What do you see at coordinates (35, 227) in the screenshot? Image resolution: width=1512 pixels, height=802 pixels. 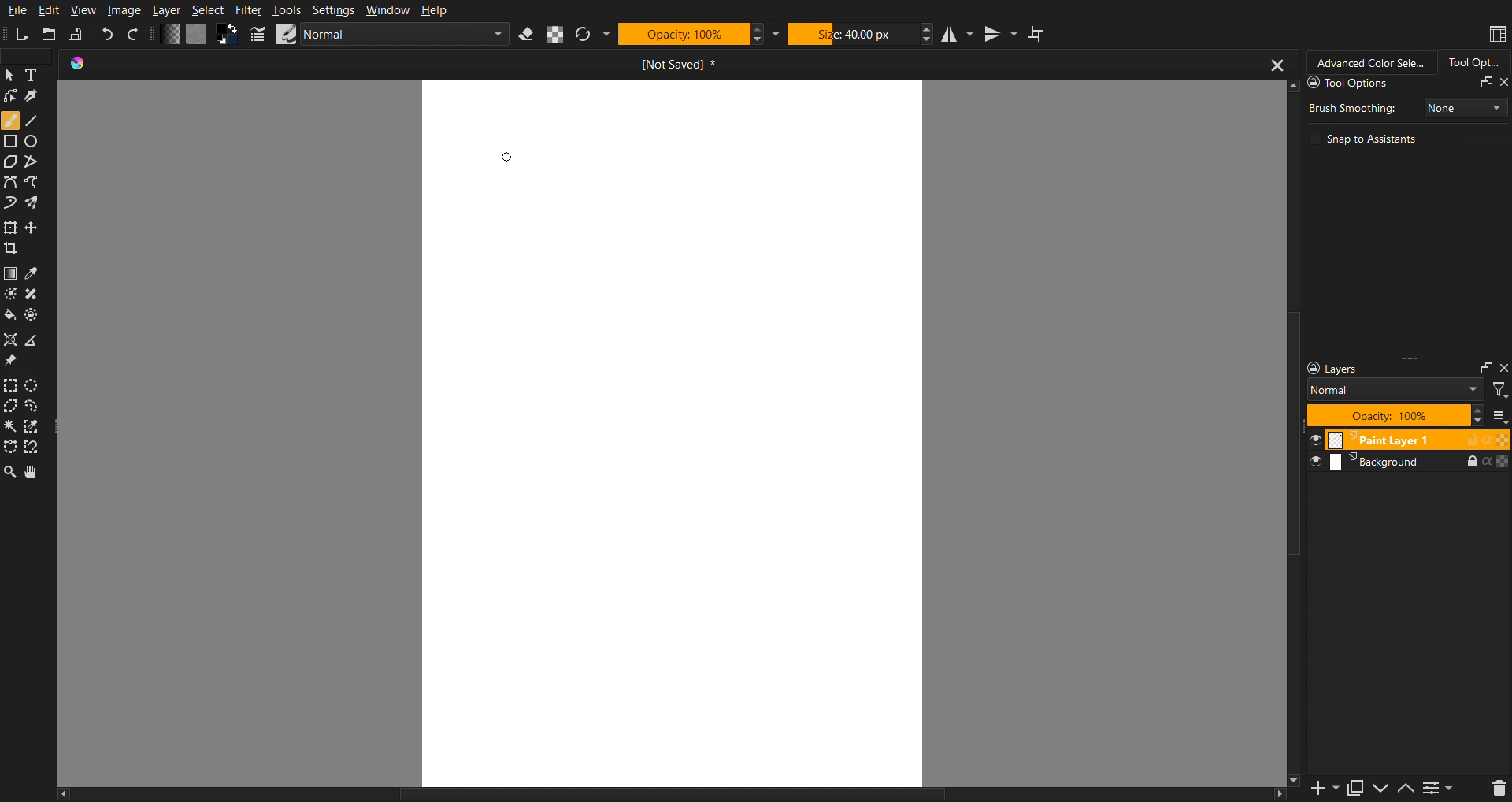 I see `Free Move` at bounding box center [35, 227].